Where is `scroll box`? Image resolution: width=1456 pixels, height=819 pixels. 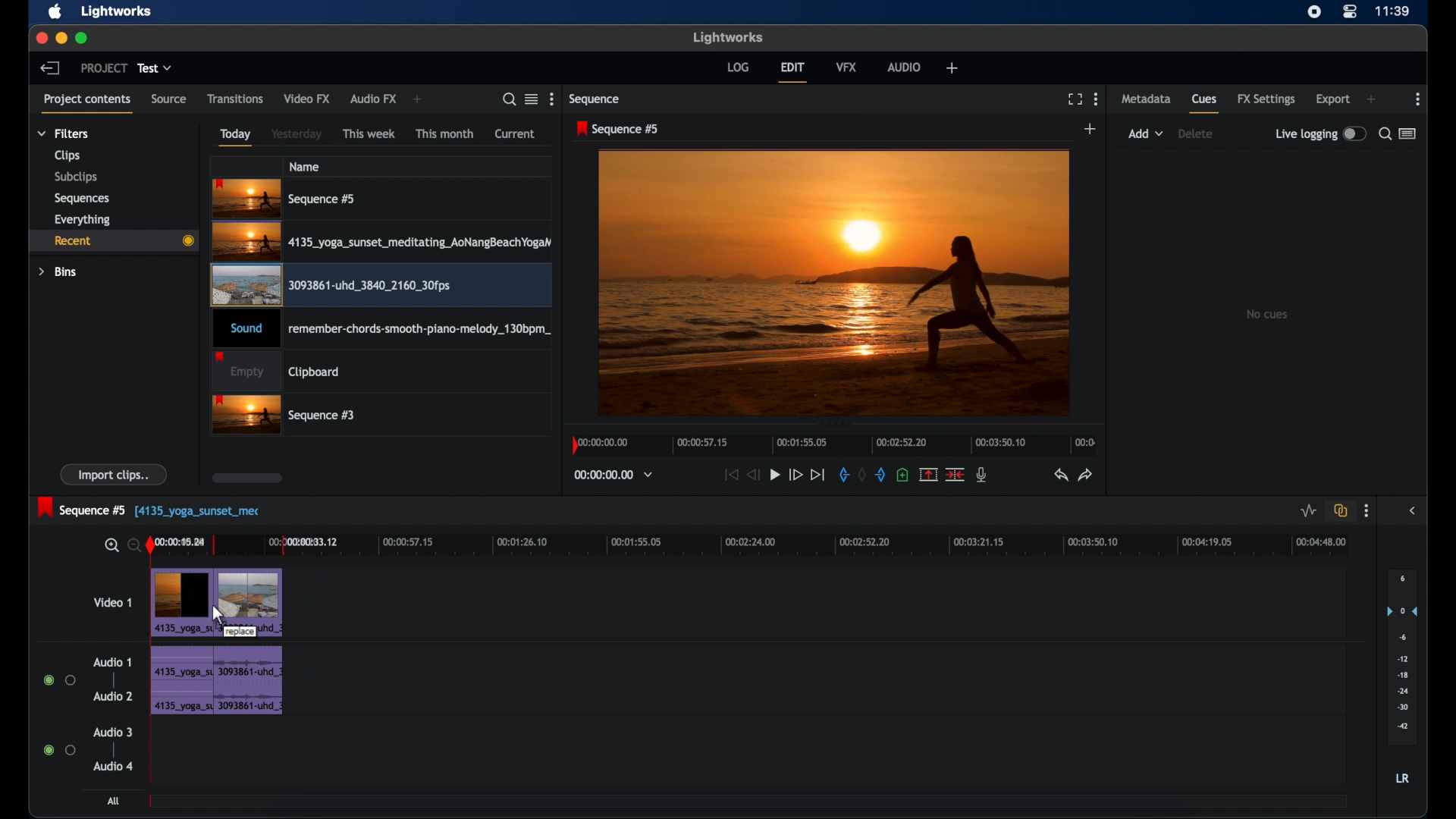 scroll box is located at coordinates (246, 478).